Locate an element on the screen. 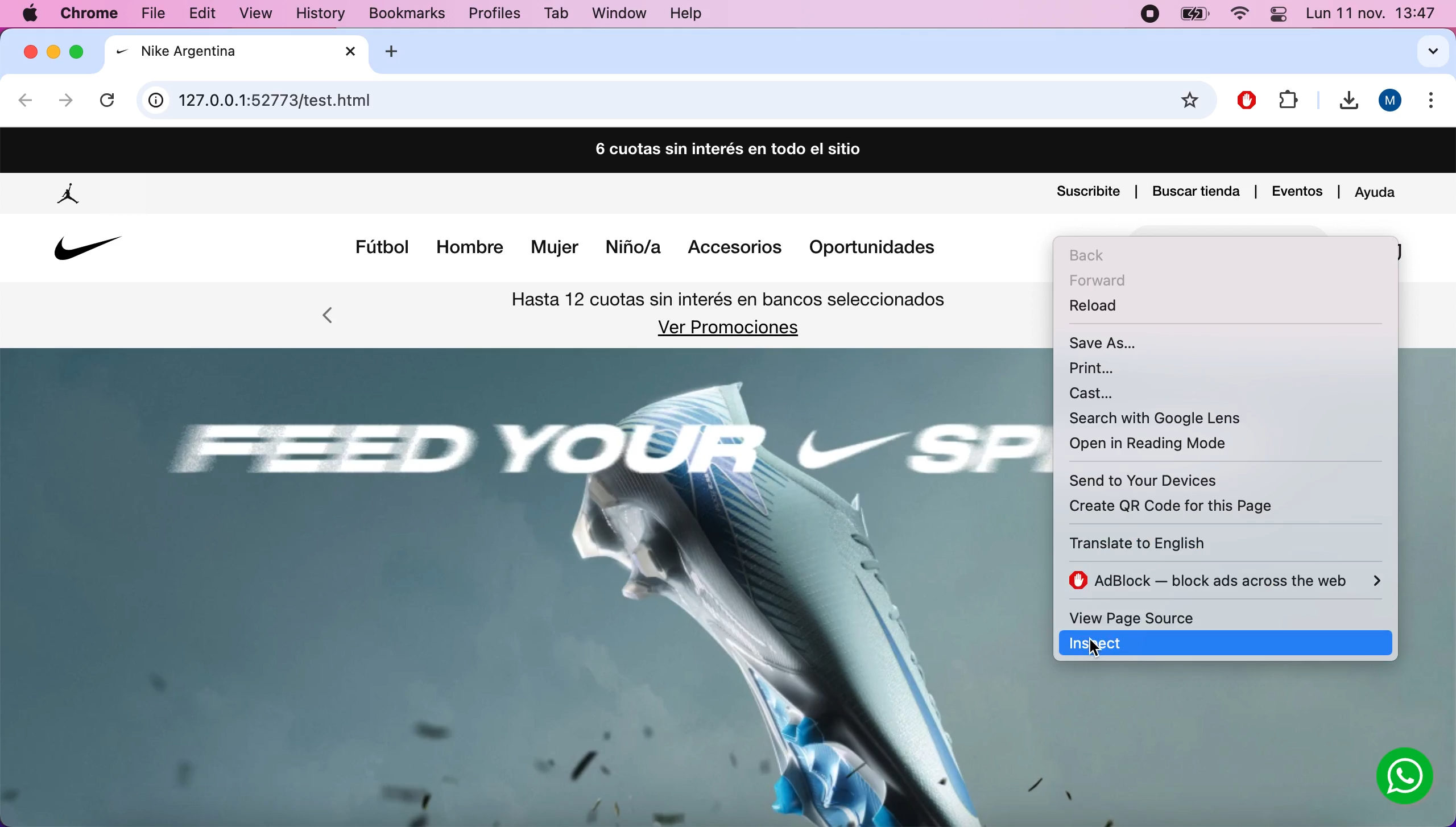 The width and height of the screenshot is (1456, 827). cursor is located at coordinates (1080, 645).